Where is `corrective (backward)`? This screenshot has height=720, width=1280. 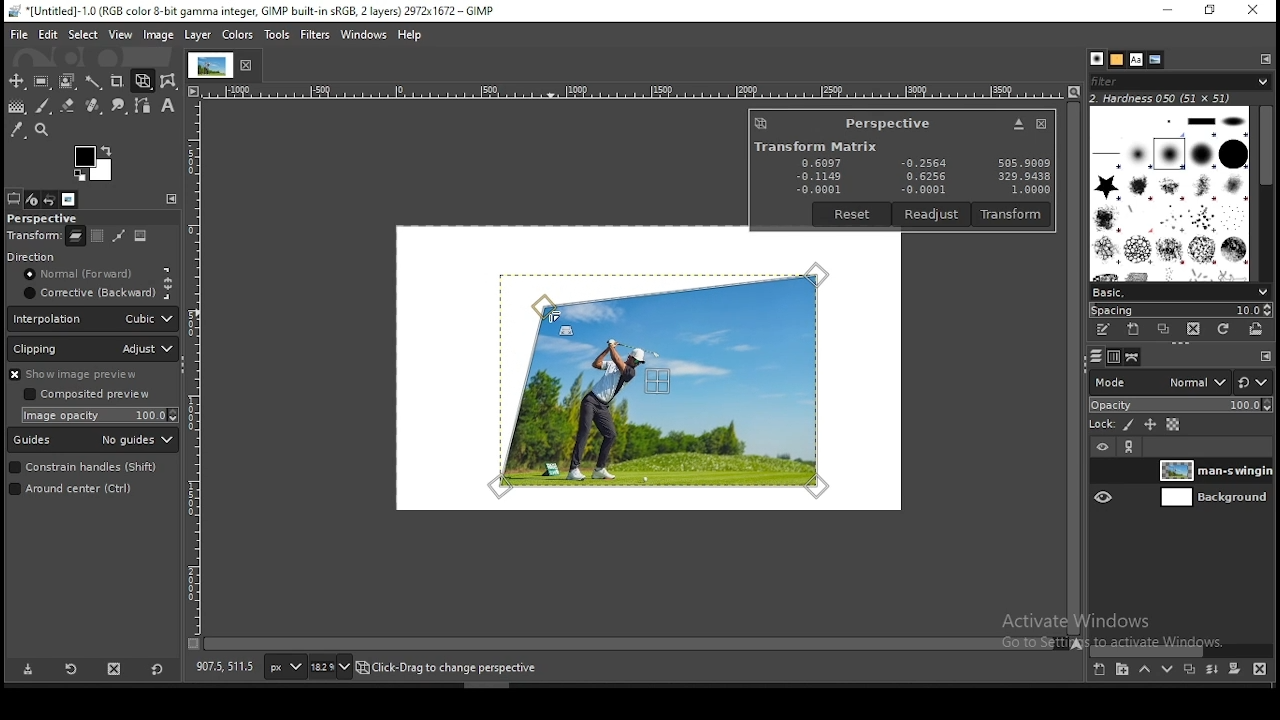
corrective (backward) is located at coordinates (87, 295).